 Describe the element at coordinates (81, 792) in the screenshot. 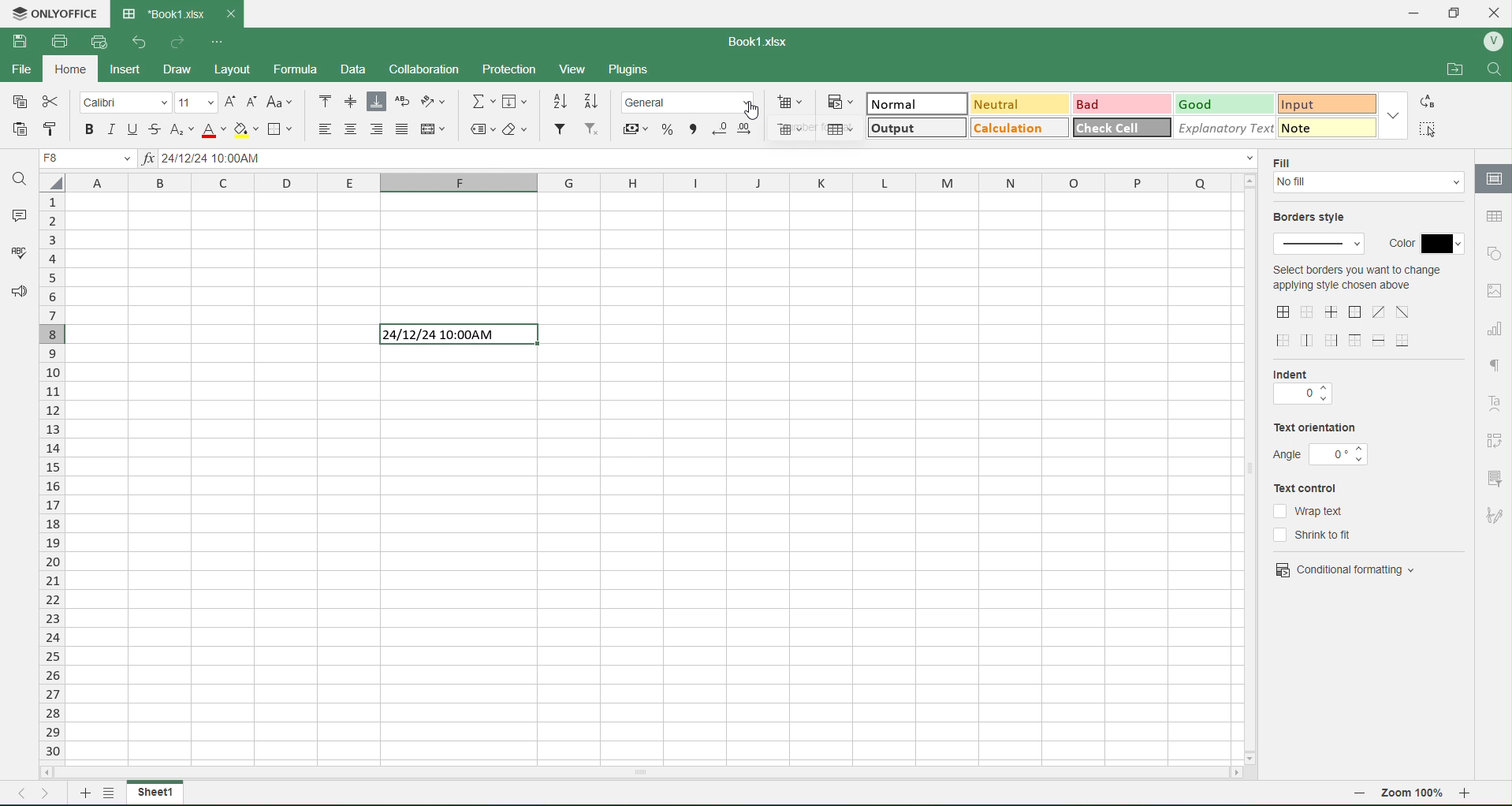

I see `Add` at that location.